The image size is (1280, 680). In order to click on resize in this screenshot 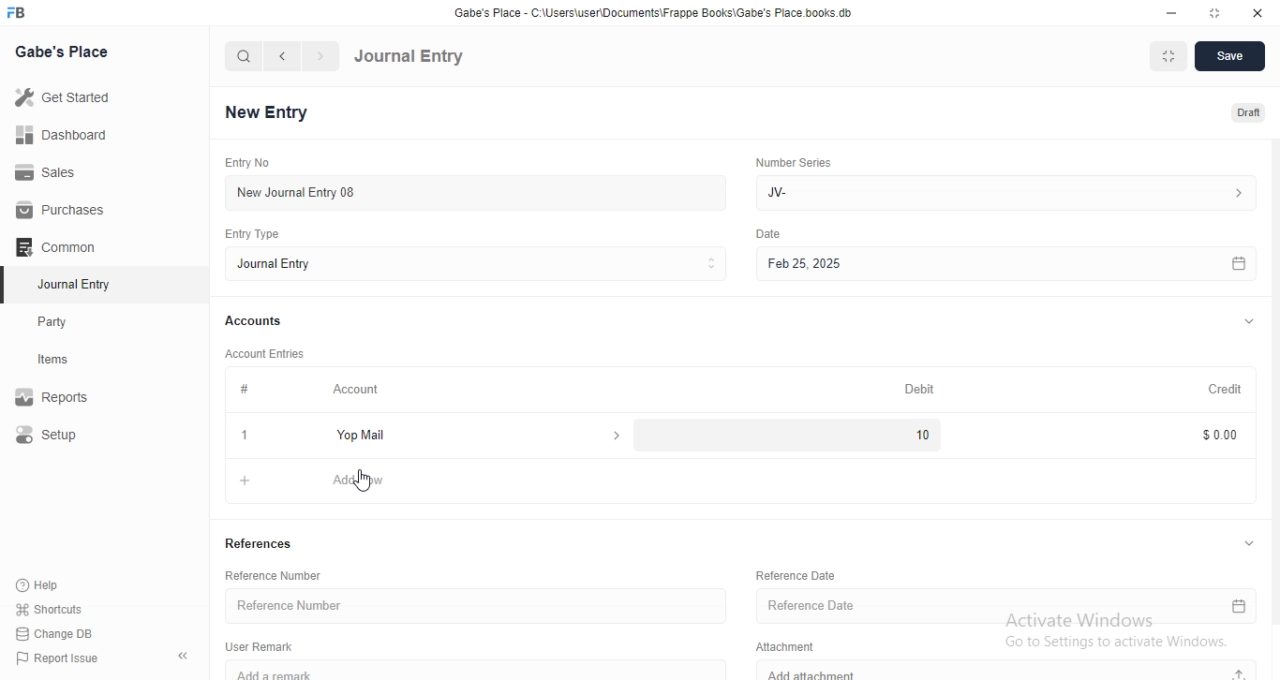, I will do `click(1211, 12)`.